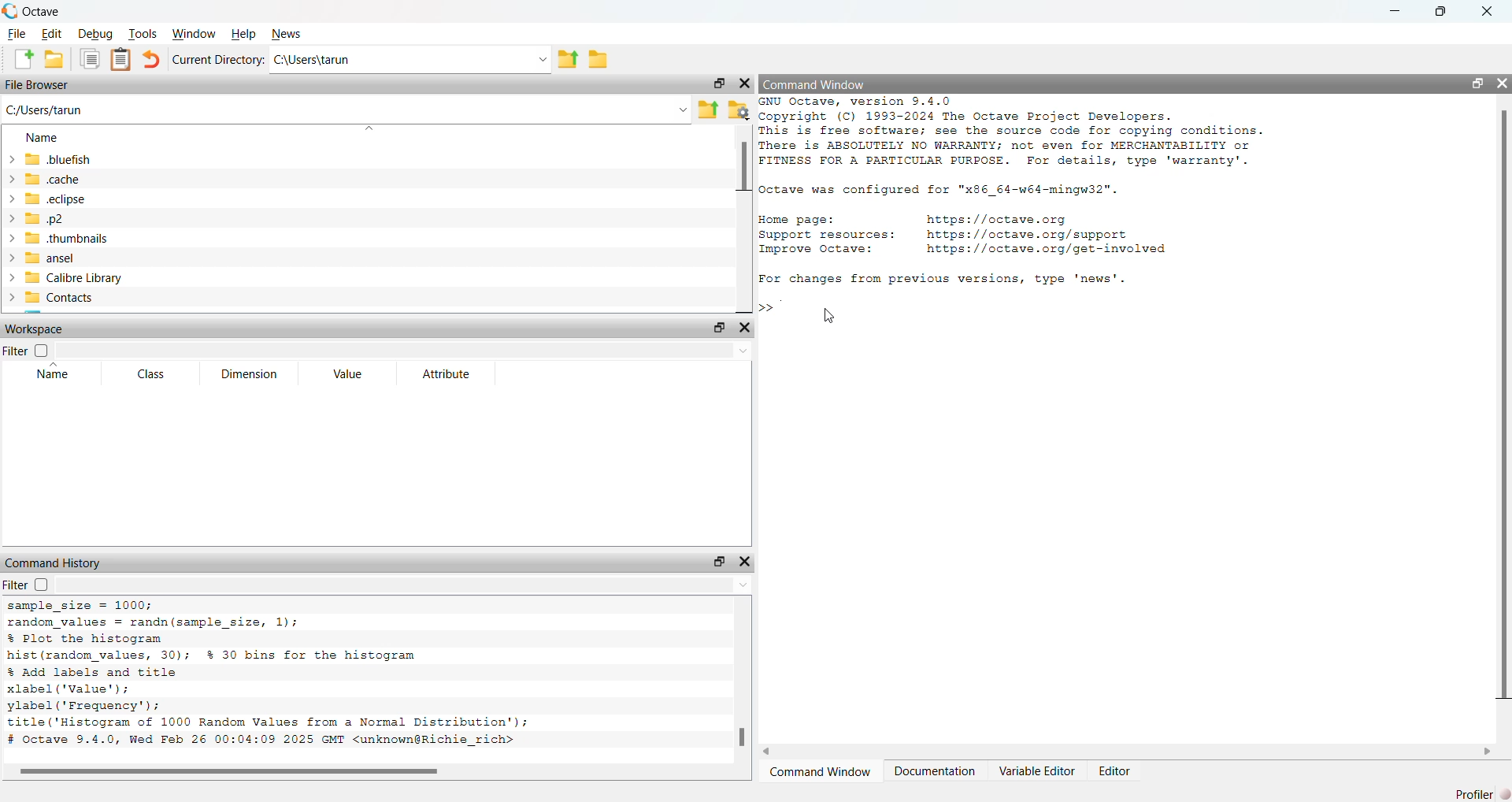 The image size is (1512, 802). I want to click on logo, so click(10, 10).